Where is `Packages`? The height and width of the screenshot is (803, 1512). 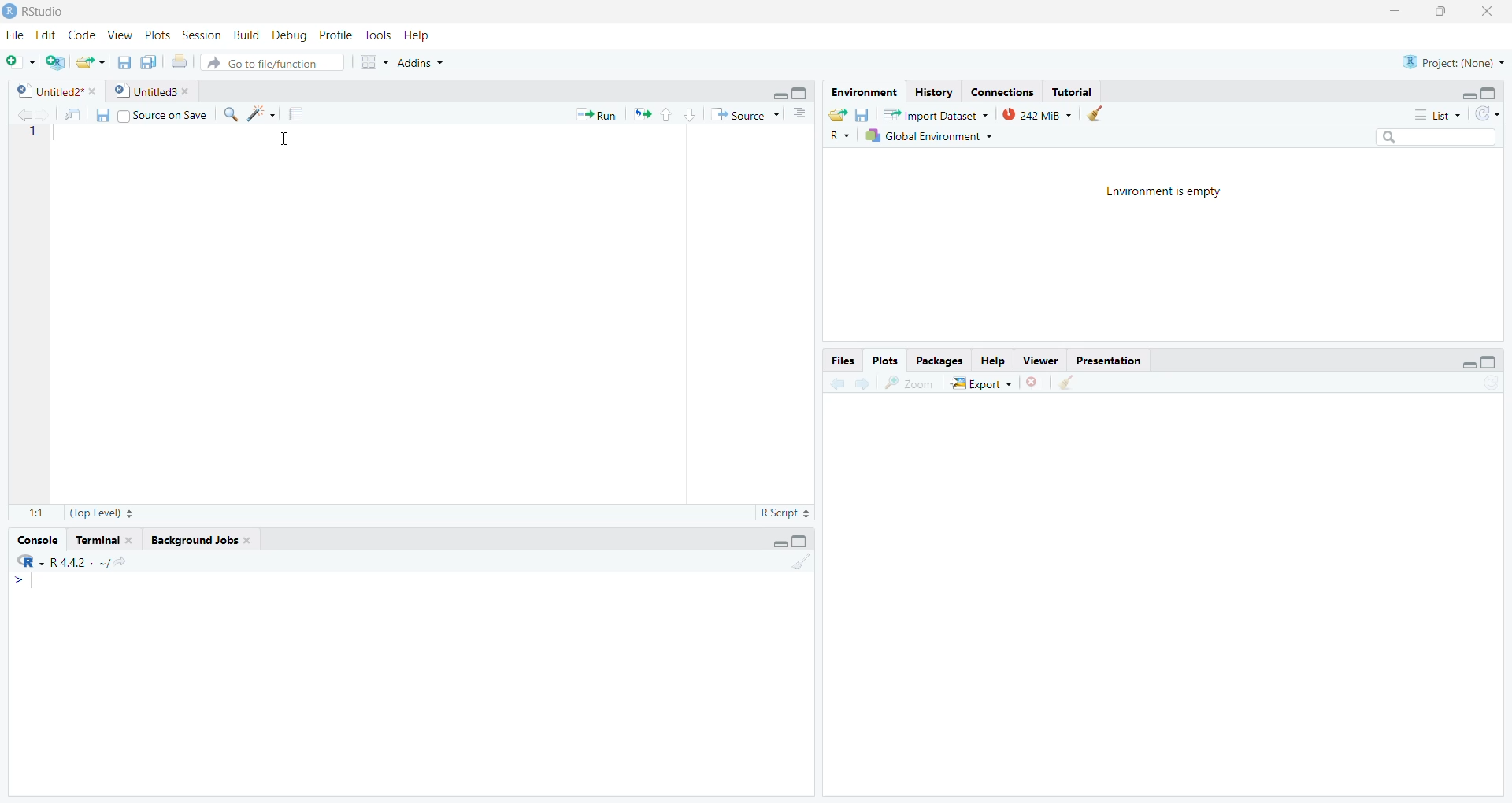 Packages is located at coordinates (938, 361).